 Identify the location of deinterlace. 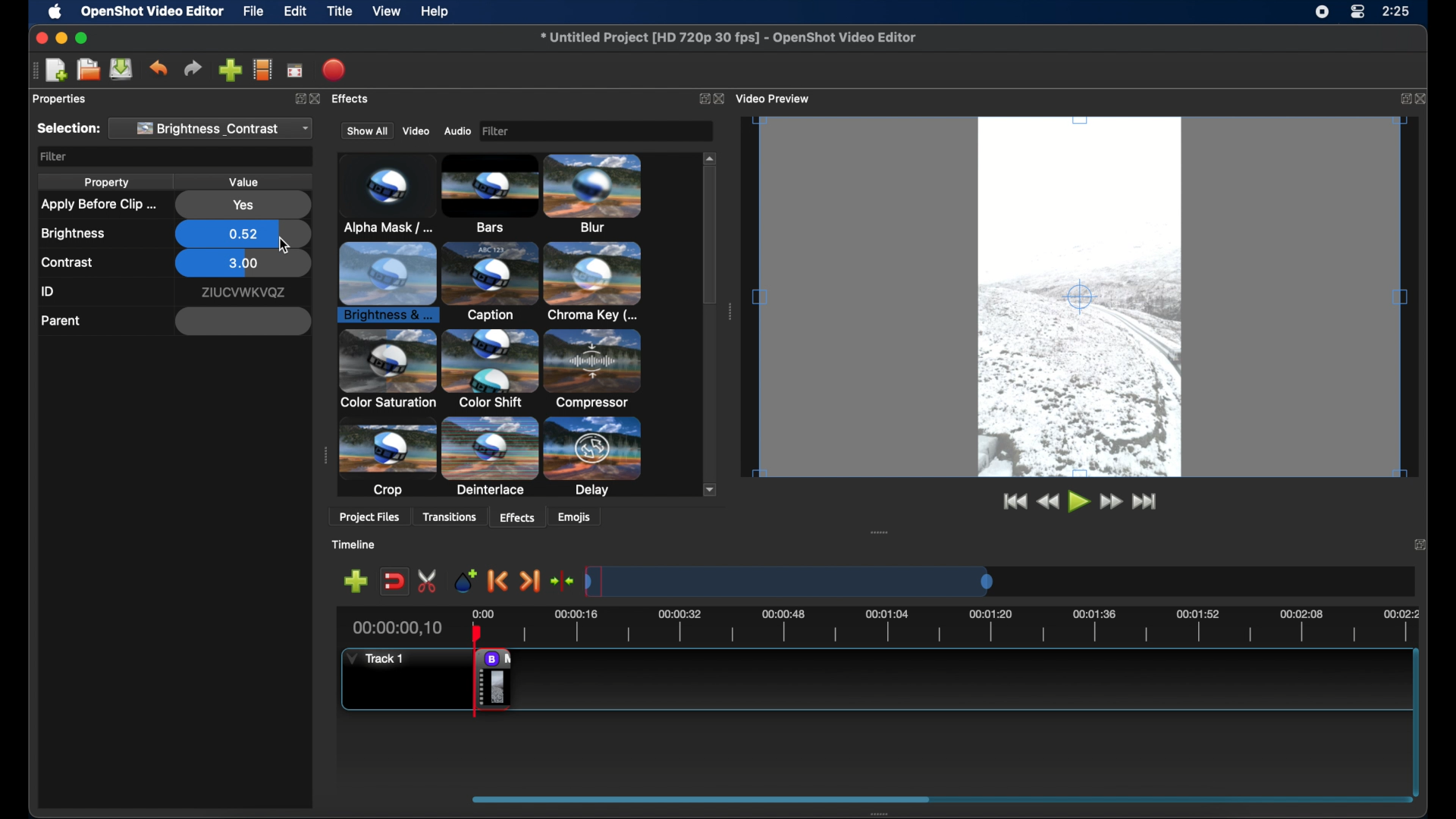
(491, 369).